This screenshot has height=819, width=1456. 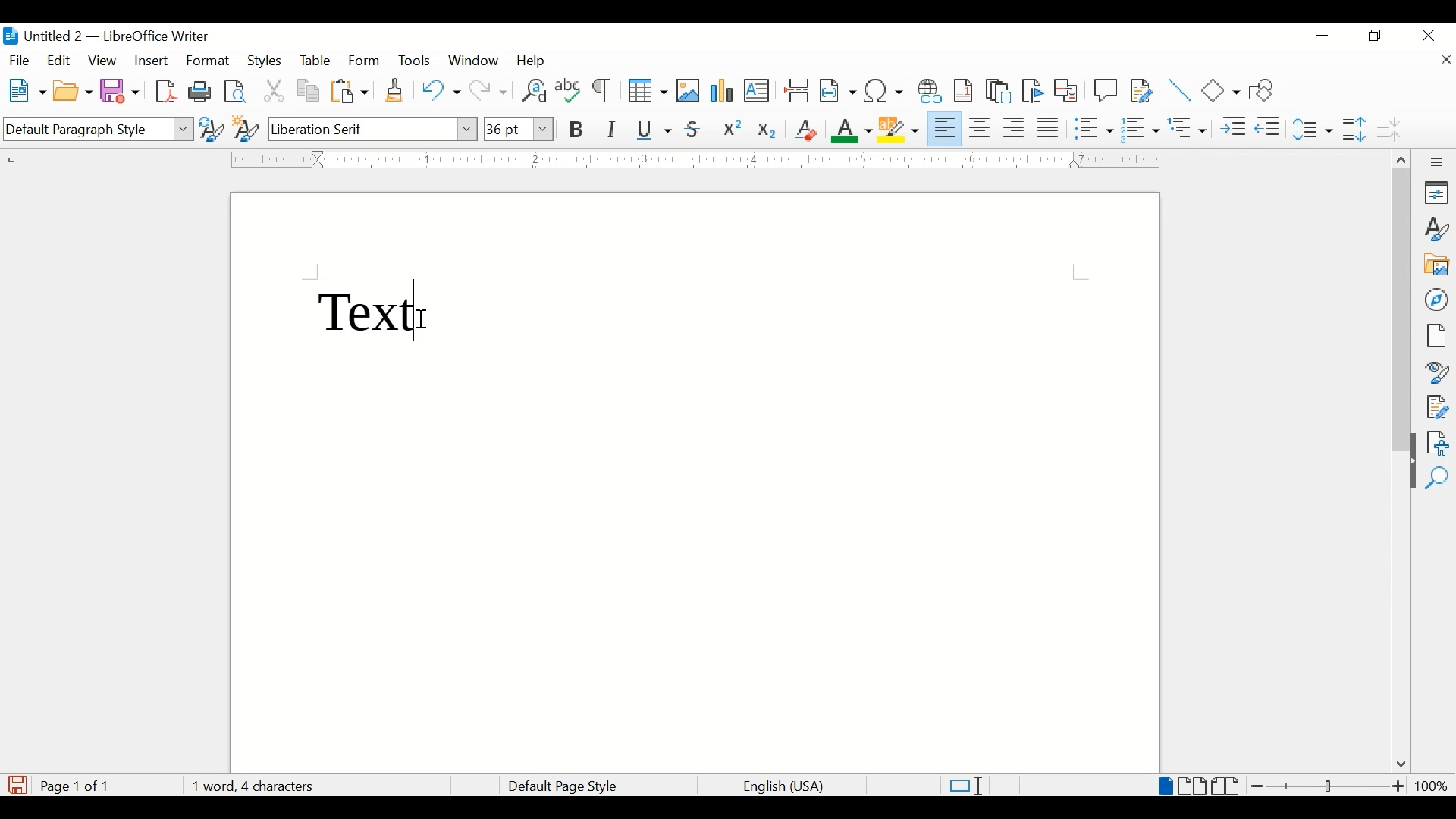 I want to click on inser bookmark, so click(x=1032, y=91).